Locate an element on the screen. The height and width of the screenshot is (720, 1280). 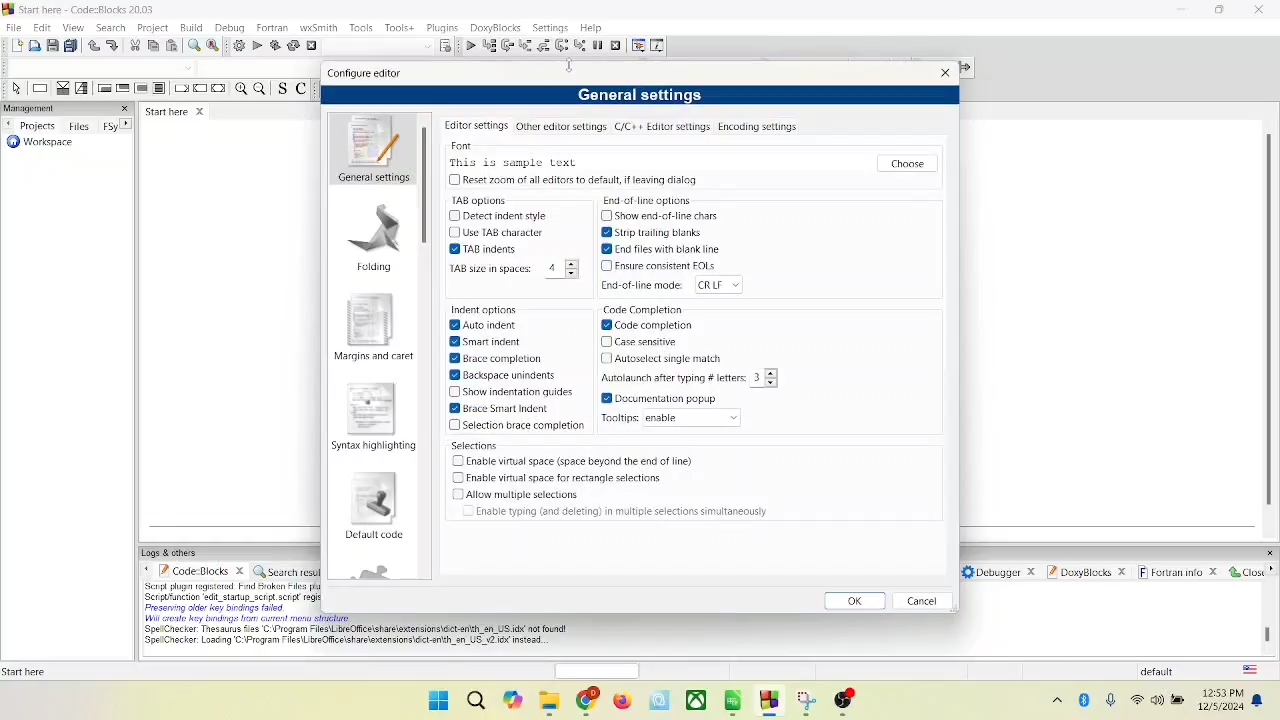
battery is located at coordinates (1178, 697).